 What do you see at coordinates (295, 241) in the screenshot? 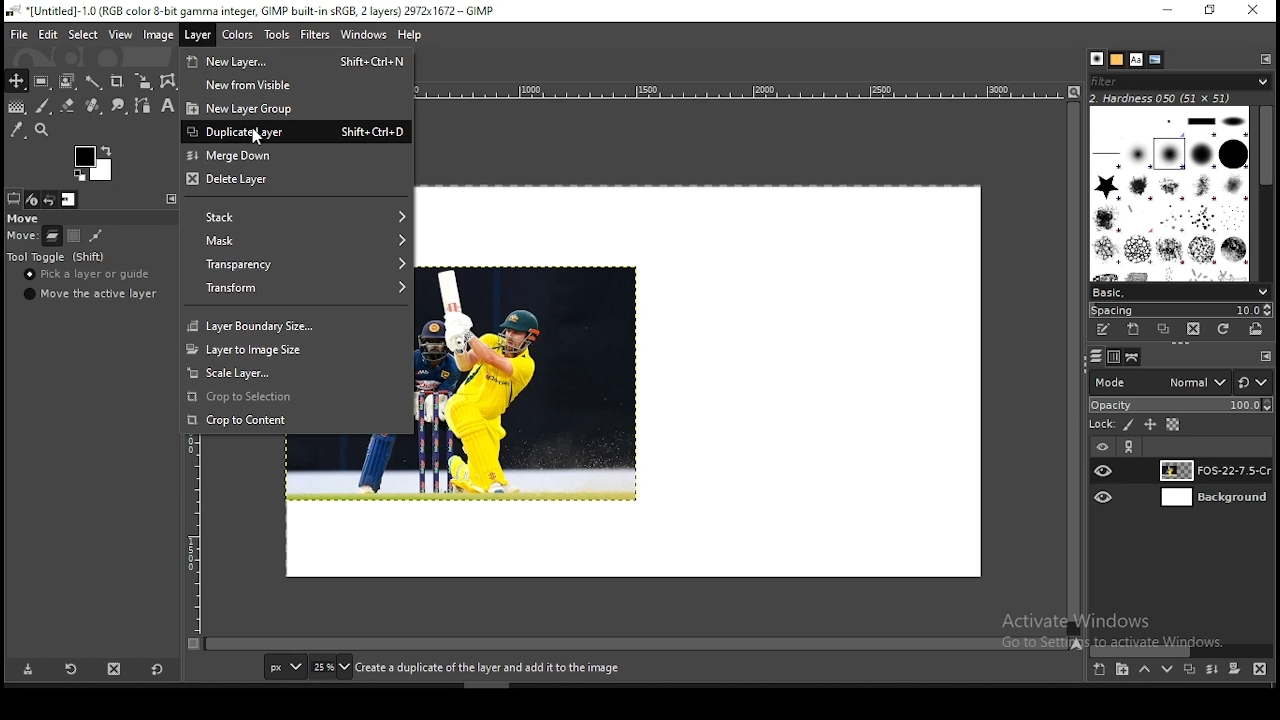
I see `mask` at bounding box center [295, 241].